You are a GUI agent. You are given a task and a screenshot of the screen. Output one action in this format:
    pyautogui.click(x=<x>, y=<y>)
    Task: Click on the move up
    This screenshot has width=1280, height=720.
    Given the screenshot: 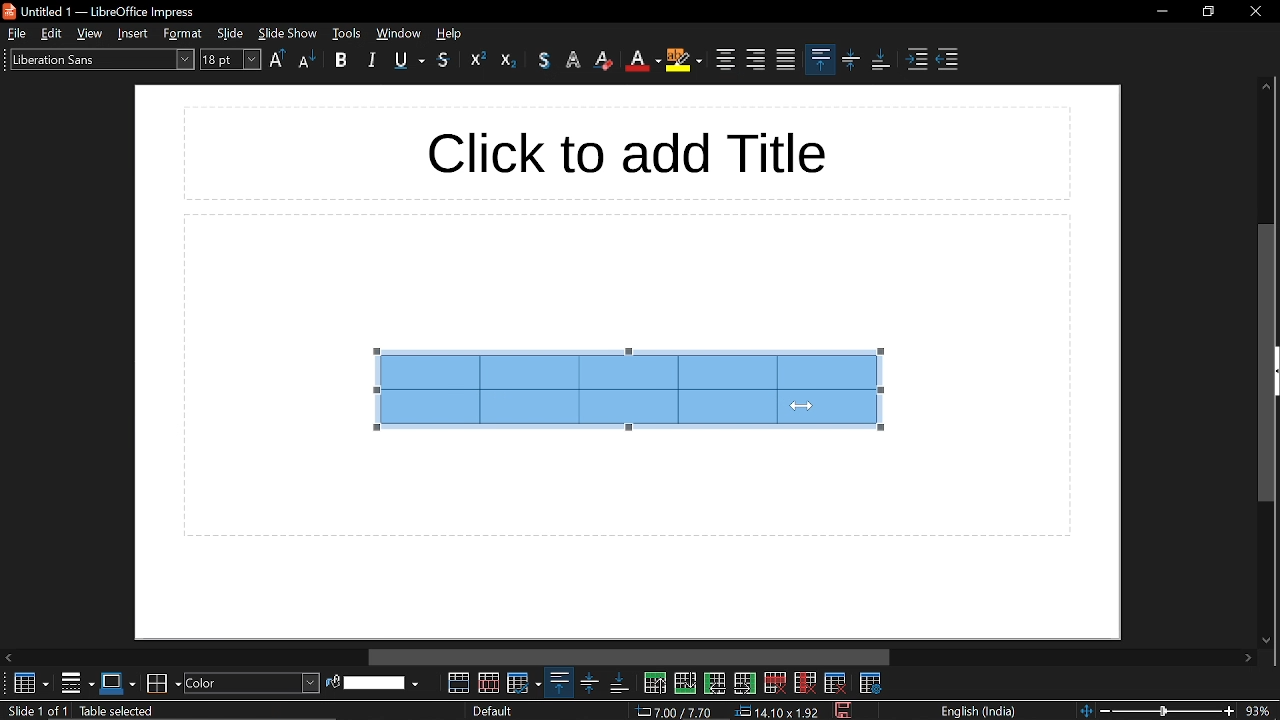 What is the action you would take?
    pyautogui.click(x=1266, y=86)
    